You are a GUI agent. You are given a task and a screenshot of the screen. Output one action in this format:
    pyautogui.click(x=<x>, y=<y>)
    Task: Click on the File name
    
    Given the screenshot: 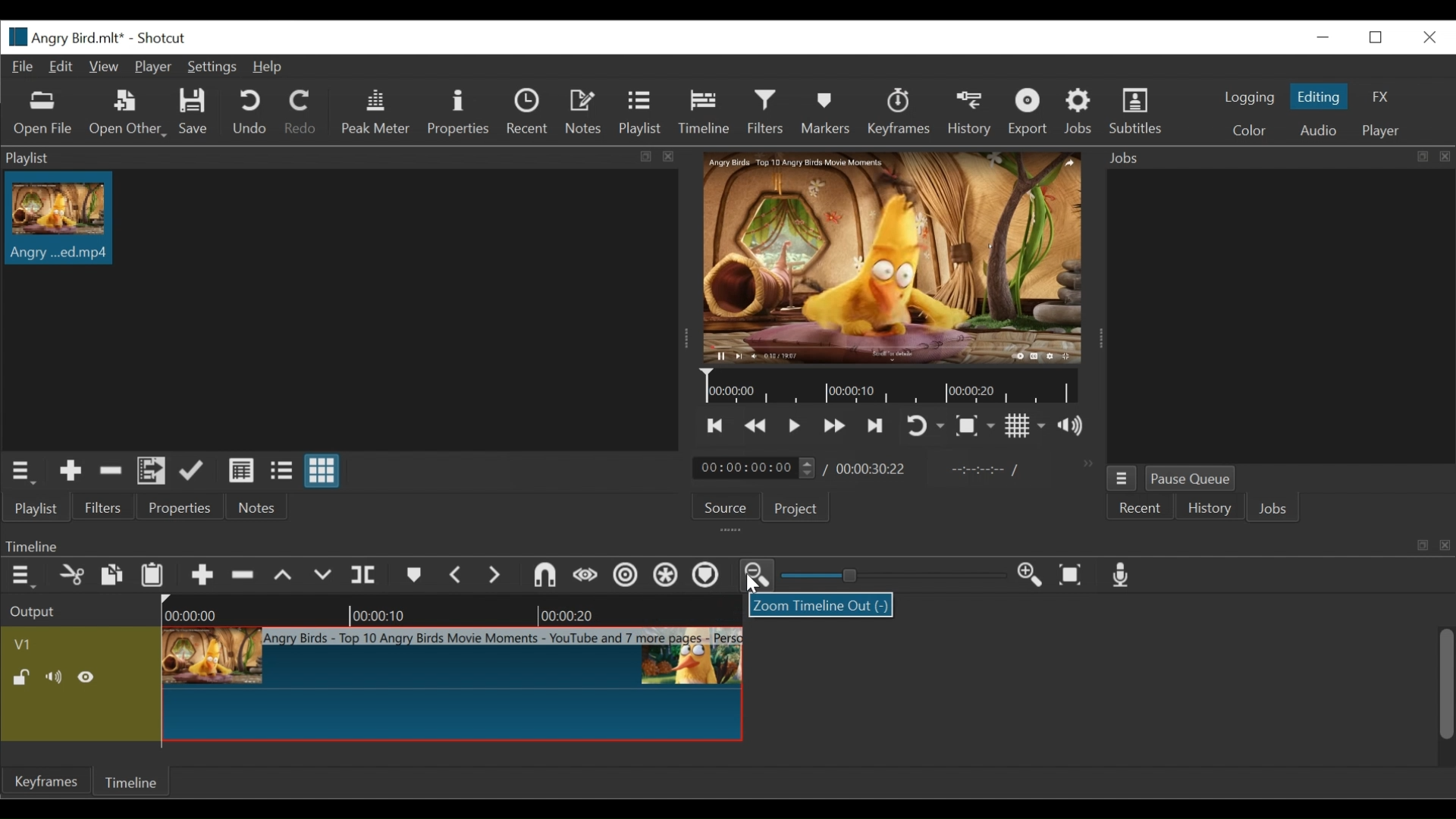 What is the action you would take?
    pyautogui.click(x=62, y=37)
    